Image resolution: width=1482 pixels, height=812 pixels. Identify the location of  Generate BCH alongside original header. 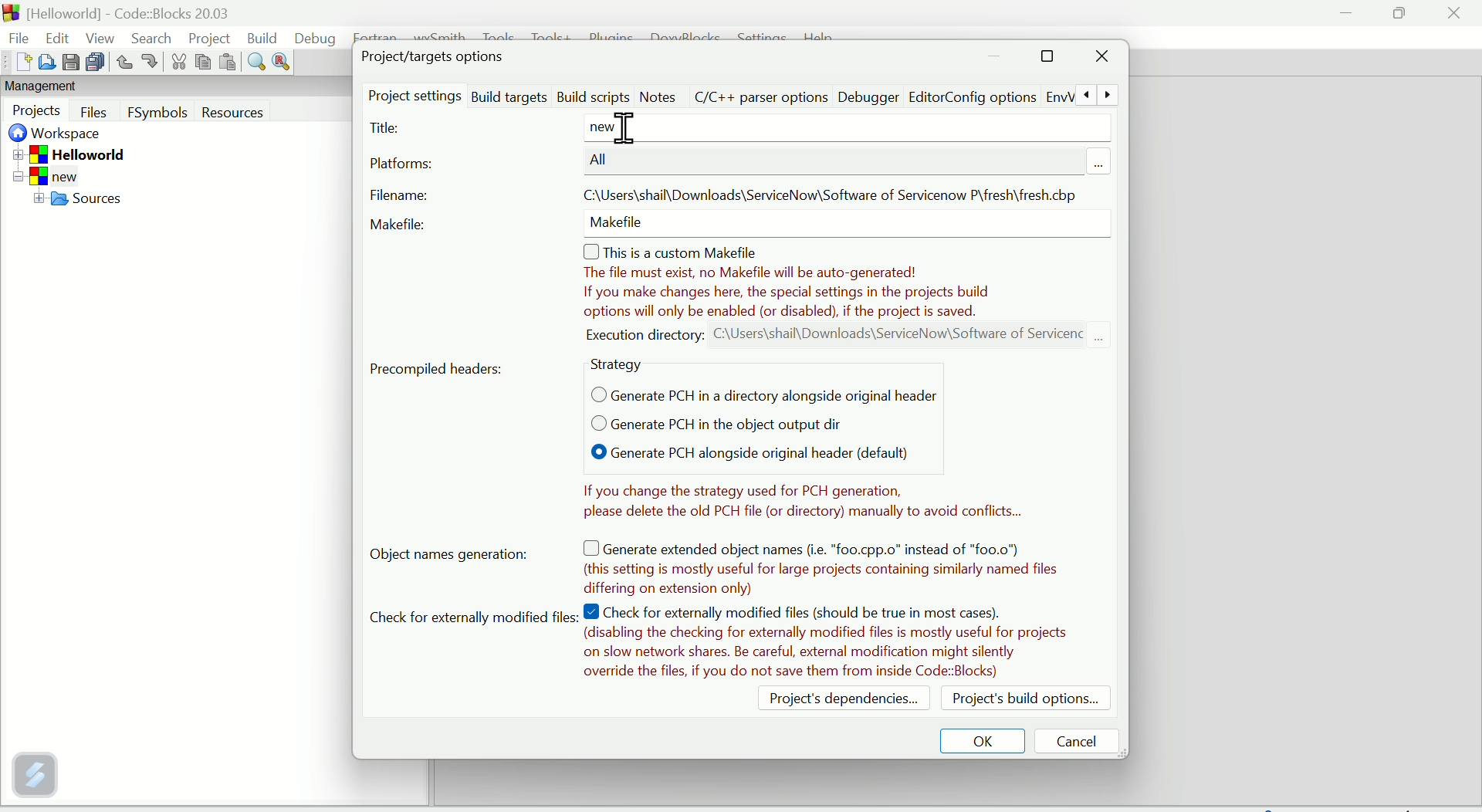
(732, 454).